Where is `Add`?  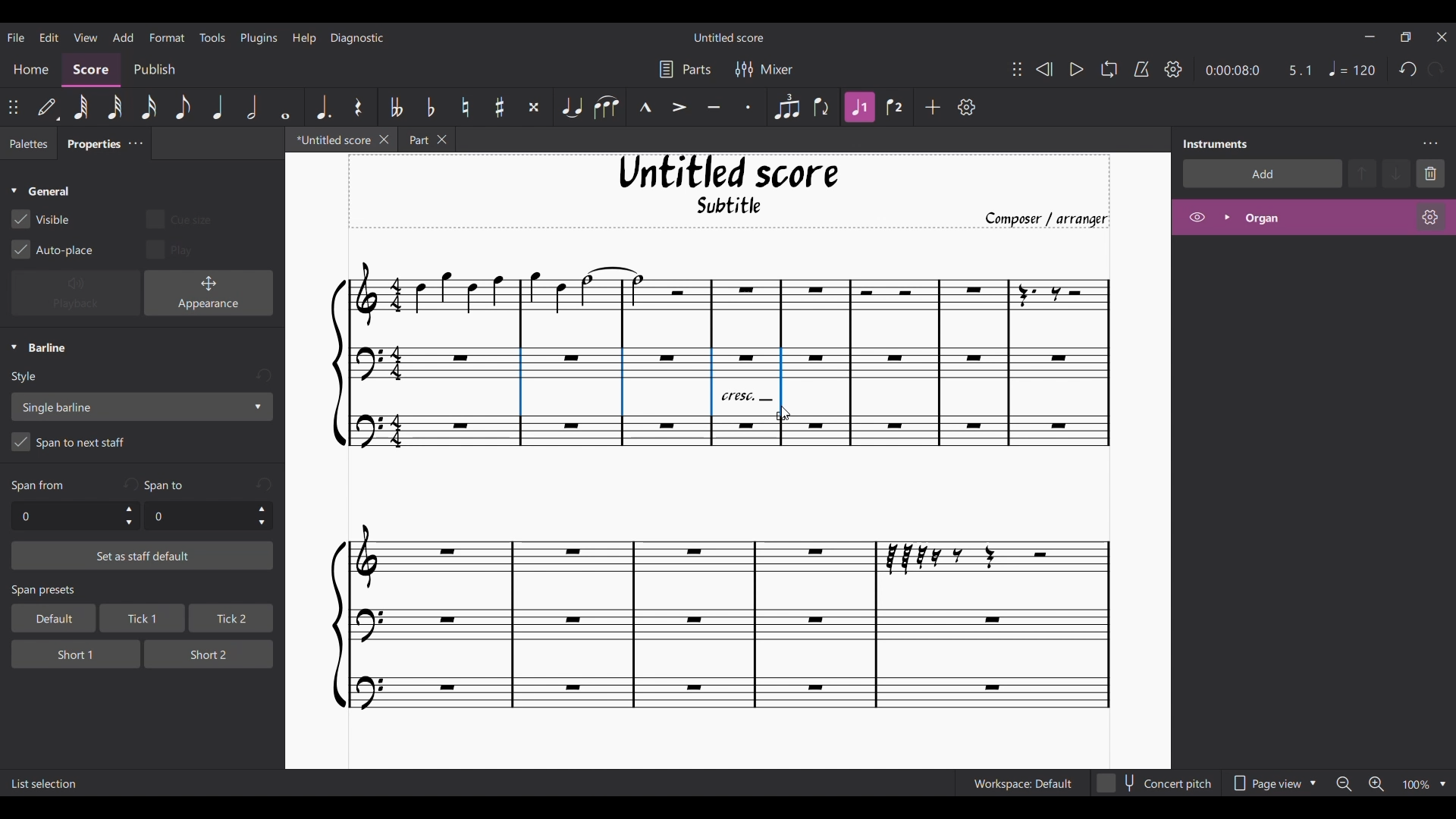 Add is located at coordinates (934, 107).